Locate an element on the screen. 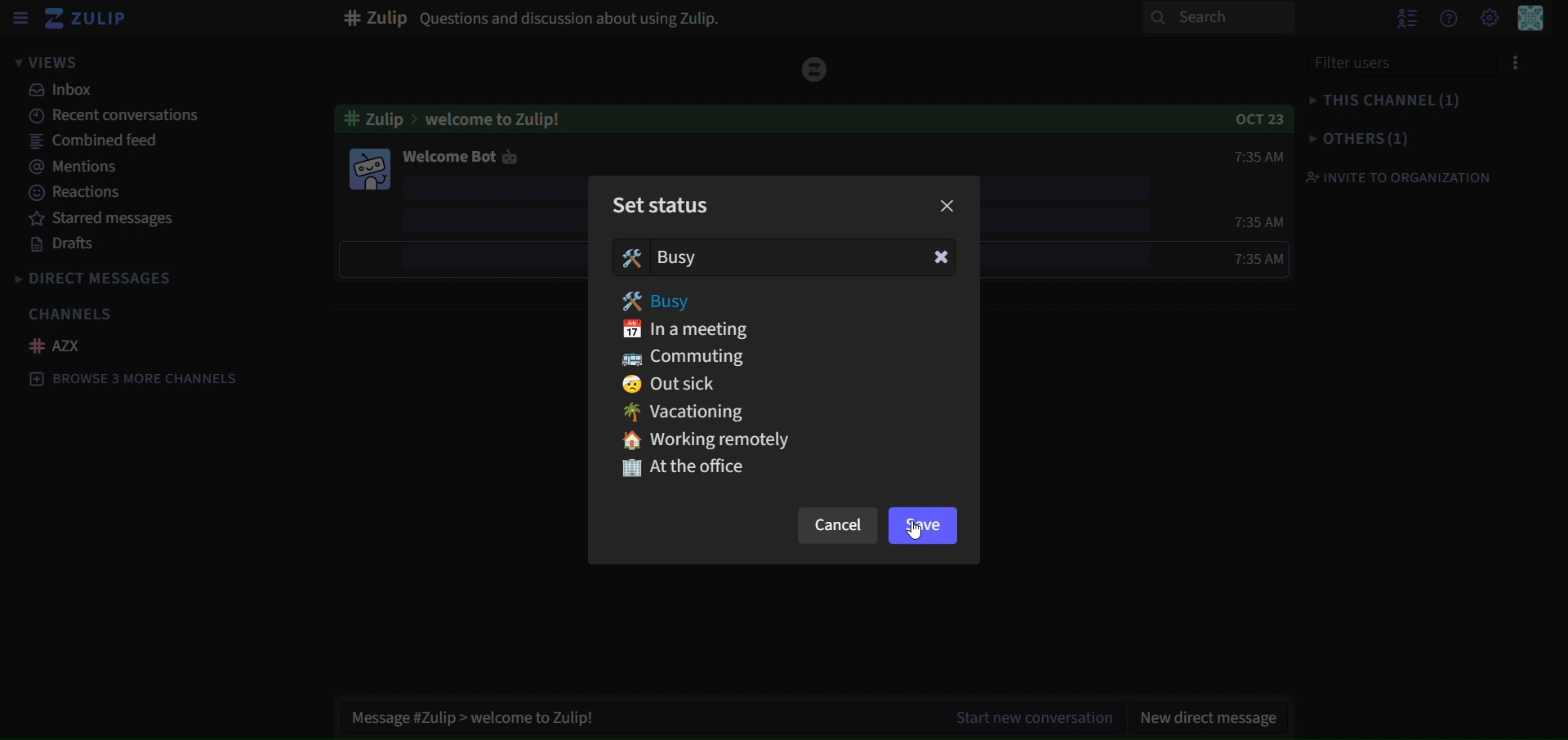  inbox is located at coordinates (65, 91).